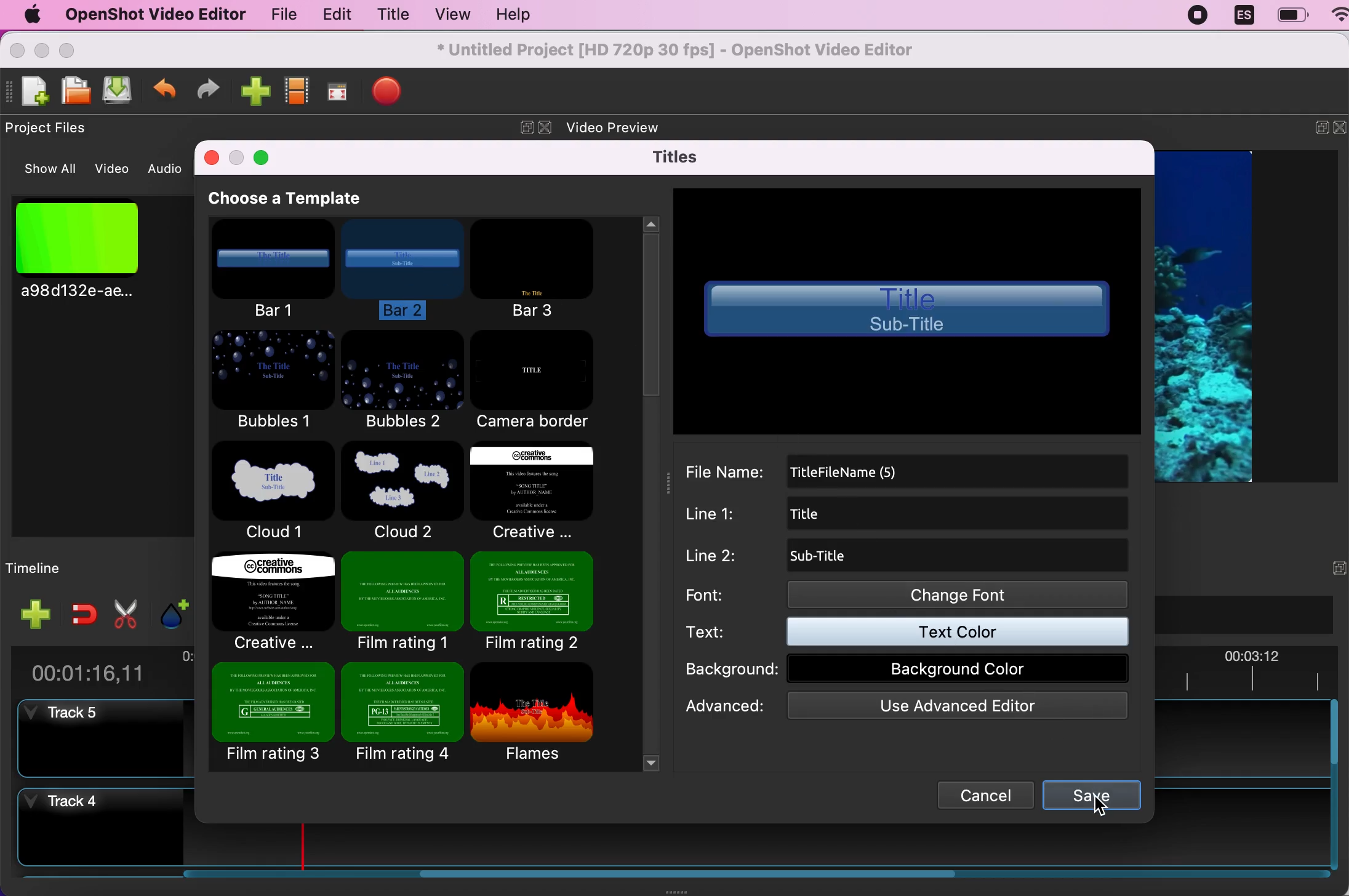 Image resolution: width=1349 pixels, height=896 pixels. I want to click on line 1, so click(912, 513).